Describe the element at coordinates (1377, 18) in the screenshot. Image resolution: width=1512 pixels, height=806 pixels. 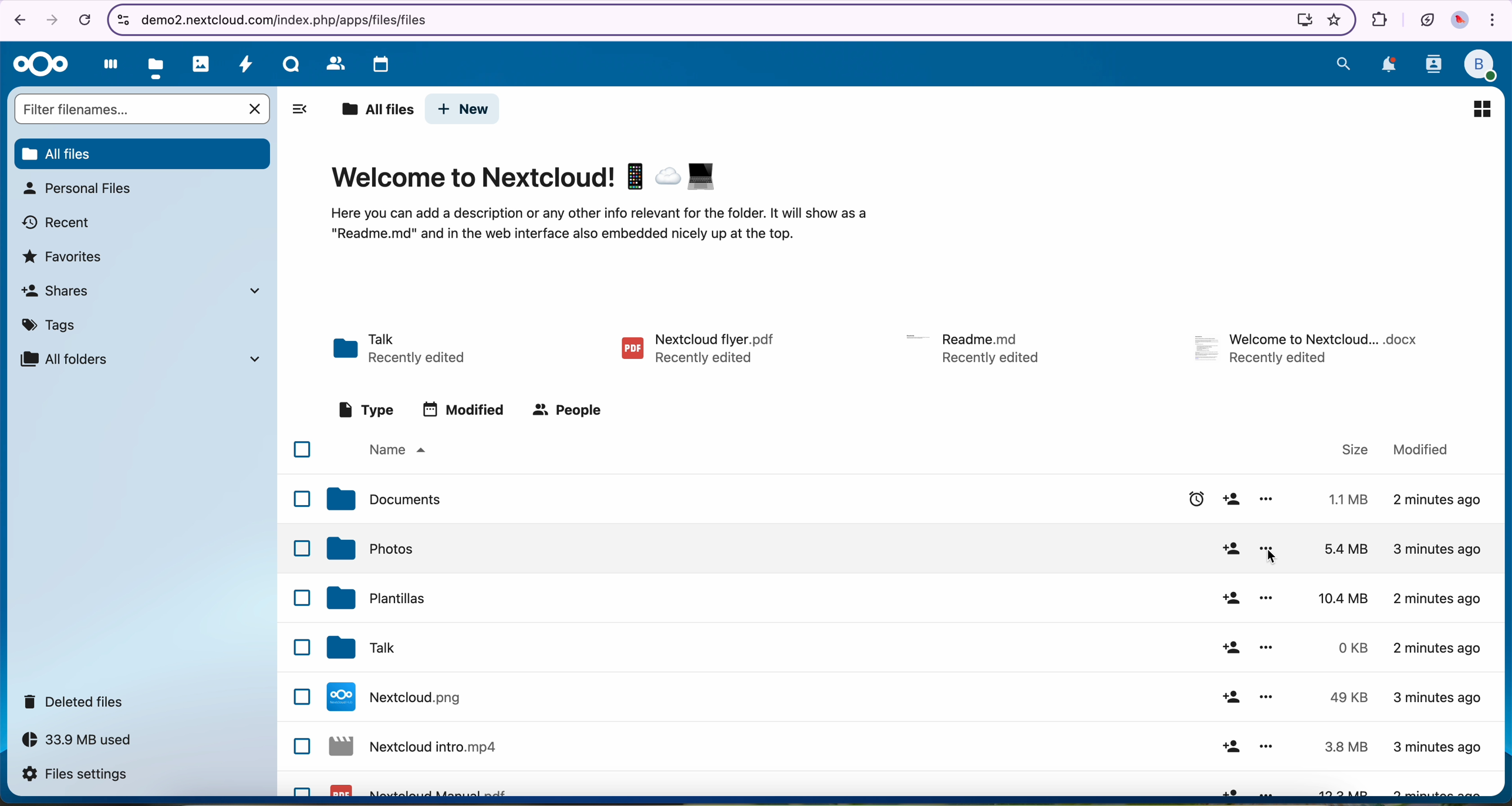
I see `extensions` at that location.